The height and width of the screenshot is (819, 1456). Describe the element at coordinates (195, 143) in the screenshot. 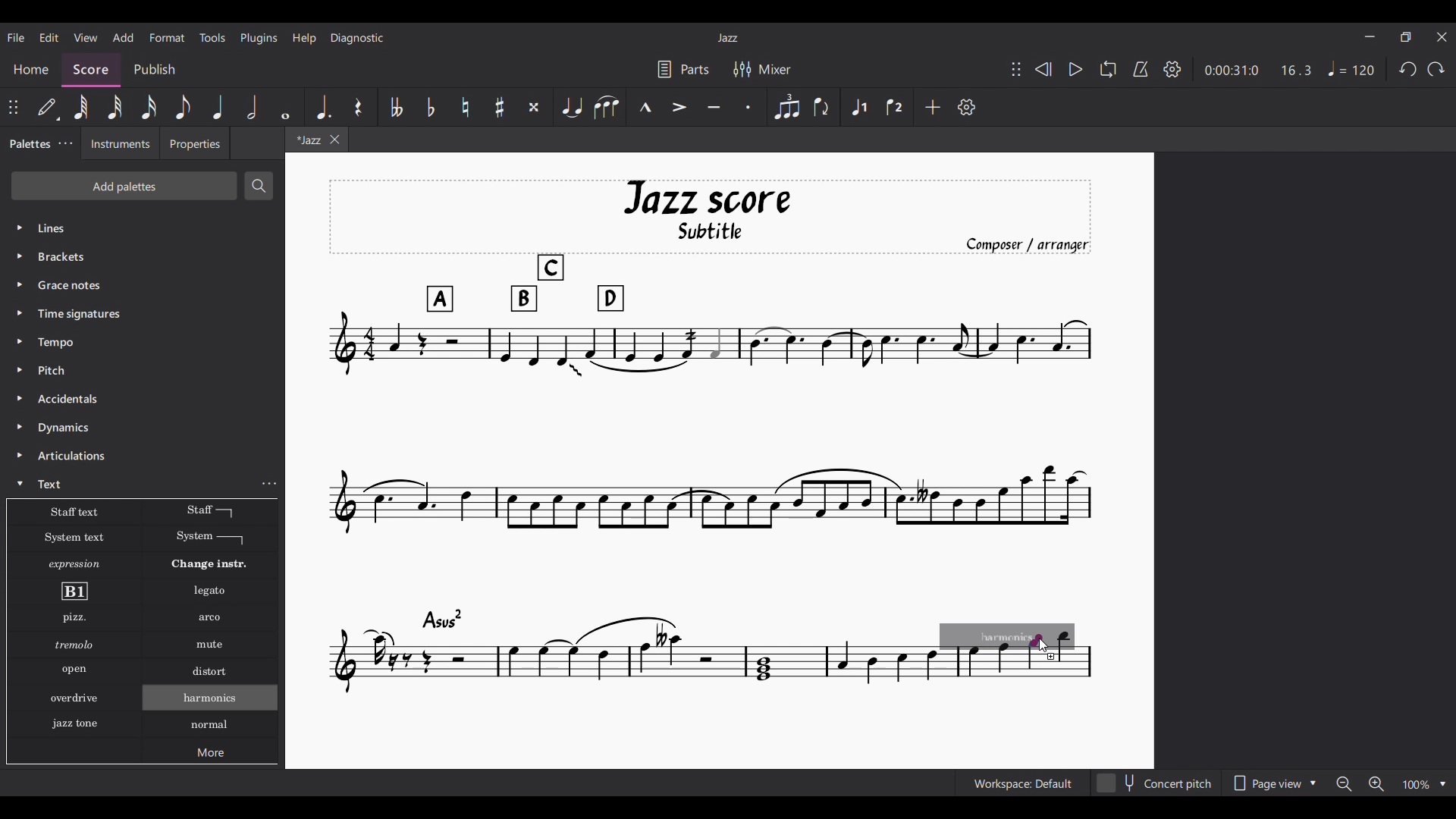

I see `Properties` at that location.